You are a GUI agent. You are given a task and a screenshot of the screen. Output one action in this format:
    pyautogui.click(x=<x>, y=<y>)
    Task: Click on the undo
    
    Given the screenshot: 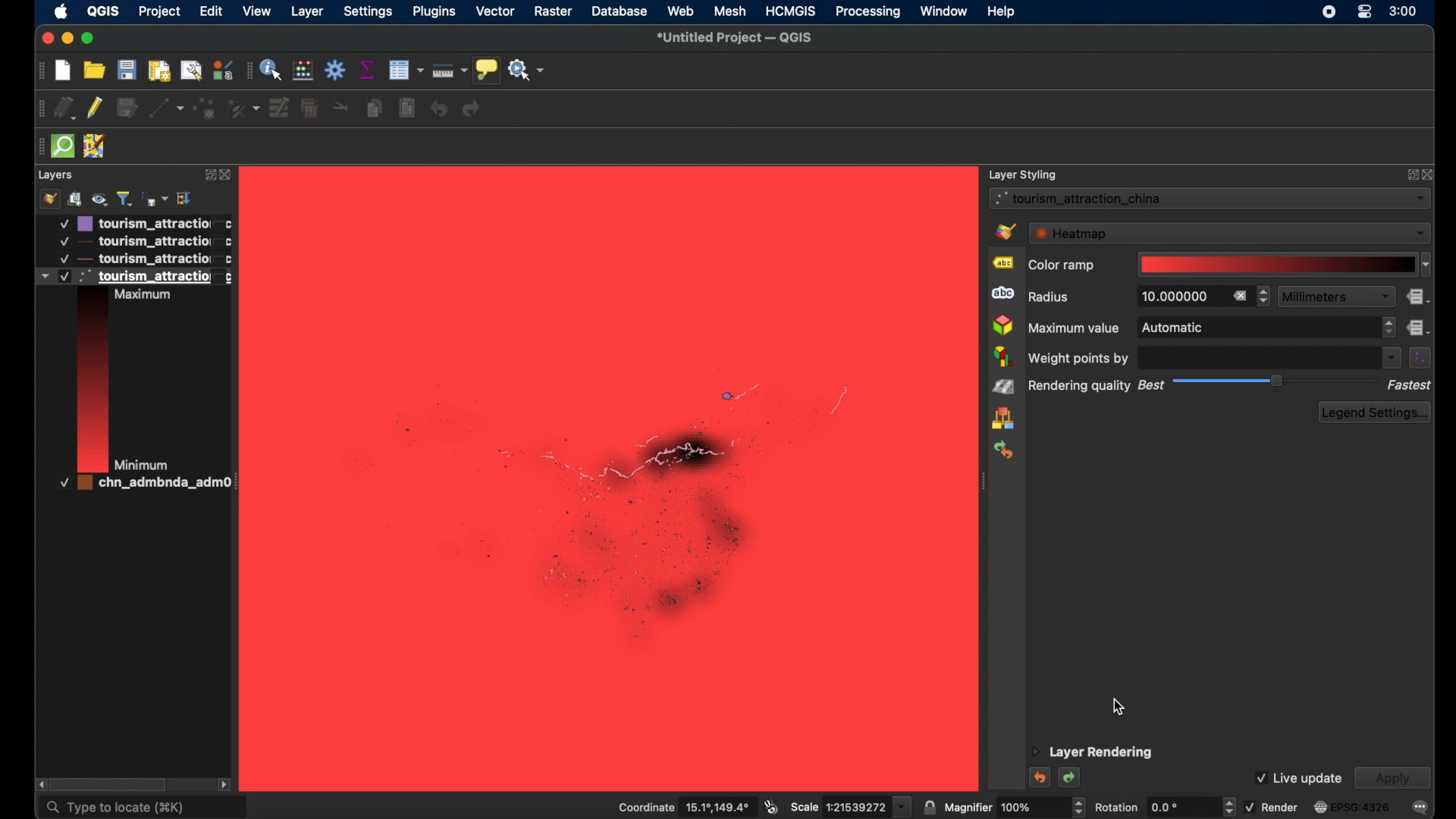 What is the action you would take?
    pyautogui.click(x=439, y=110)
    